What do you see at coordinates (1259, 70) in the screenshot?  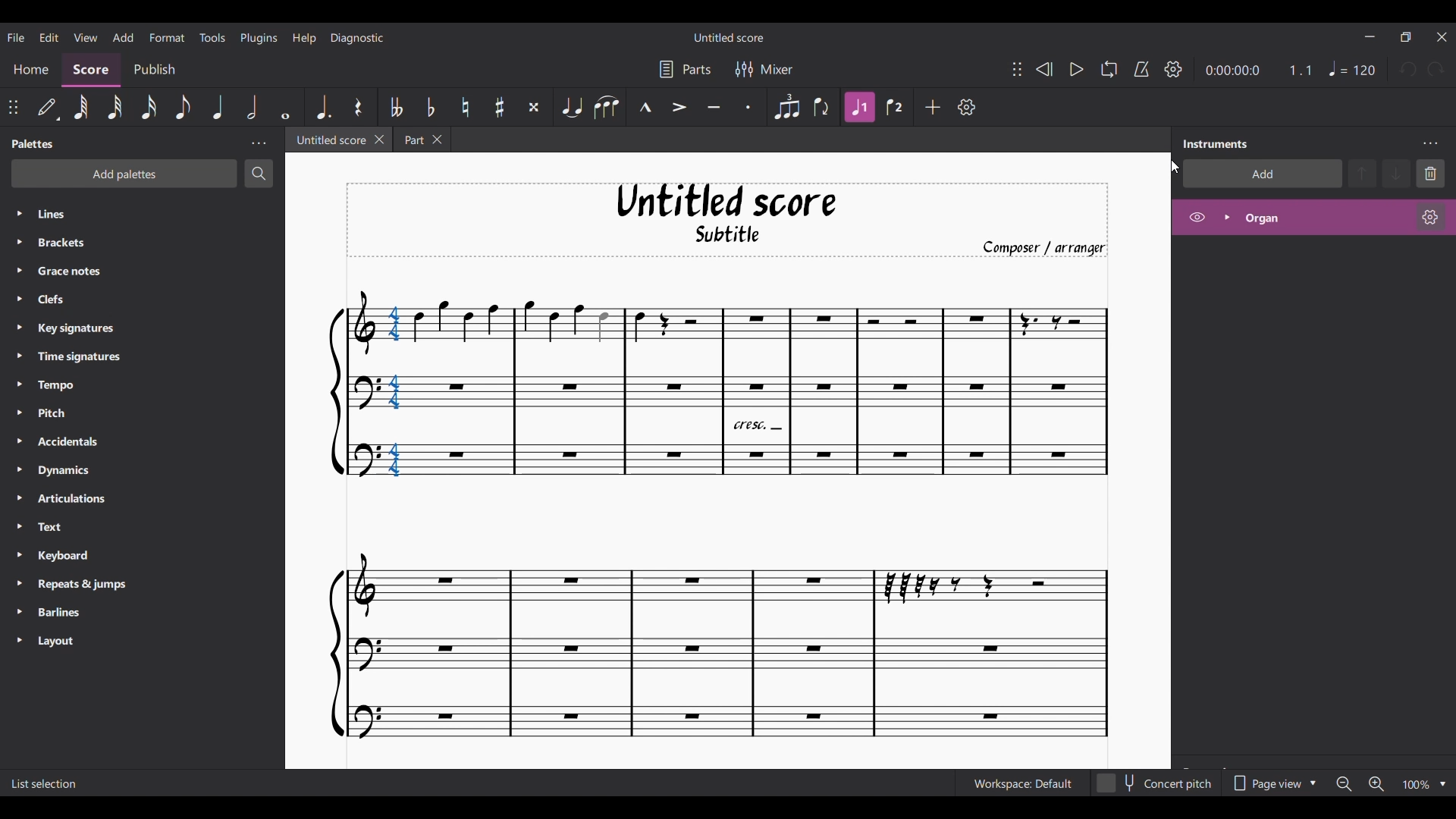 I see `Current ratio and duration` at bounding box center [1259, 70].